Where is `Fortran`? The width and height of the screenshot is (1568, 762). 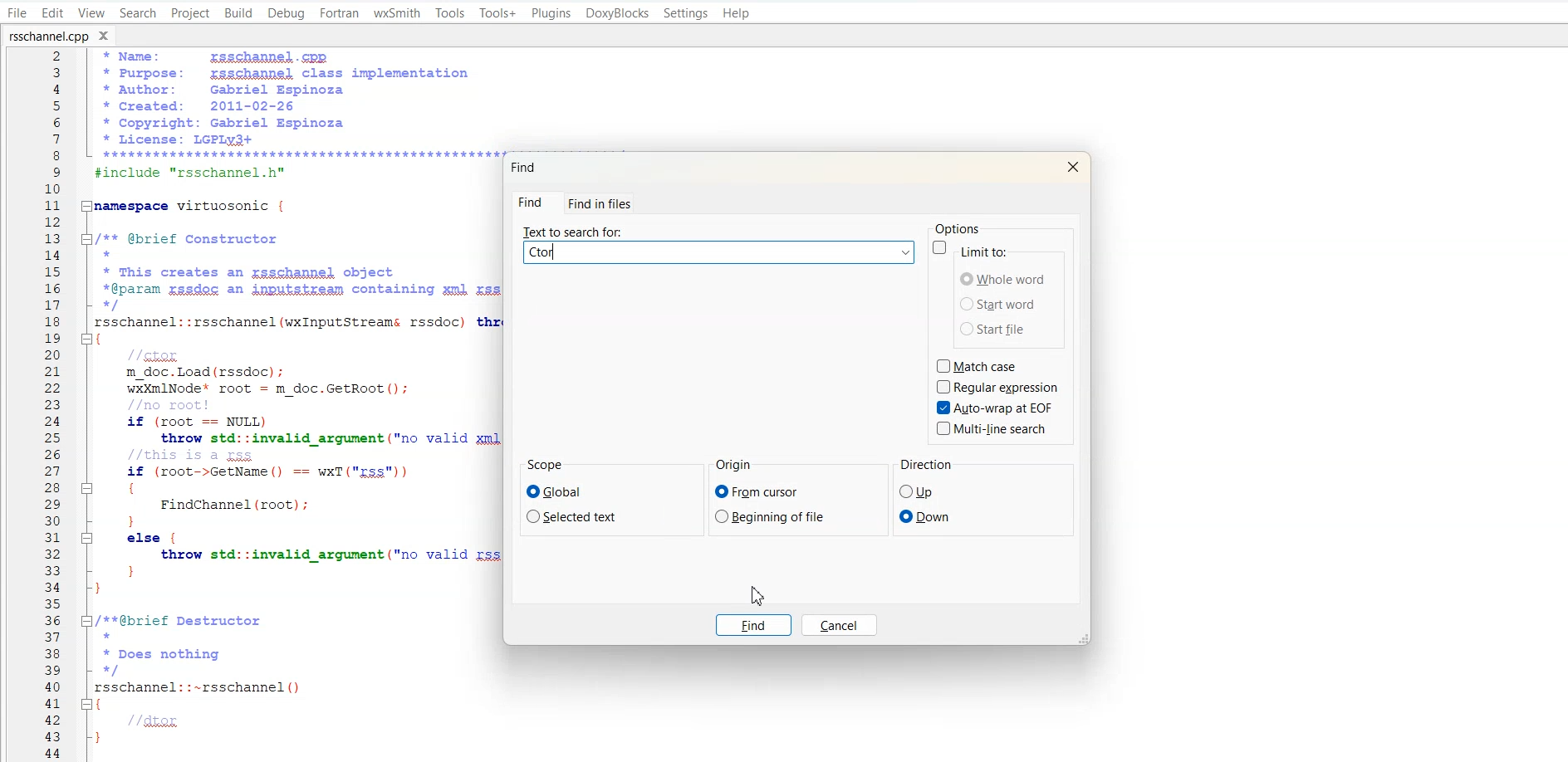
Fortran is located at coordinates (338, 13).